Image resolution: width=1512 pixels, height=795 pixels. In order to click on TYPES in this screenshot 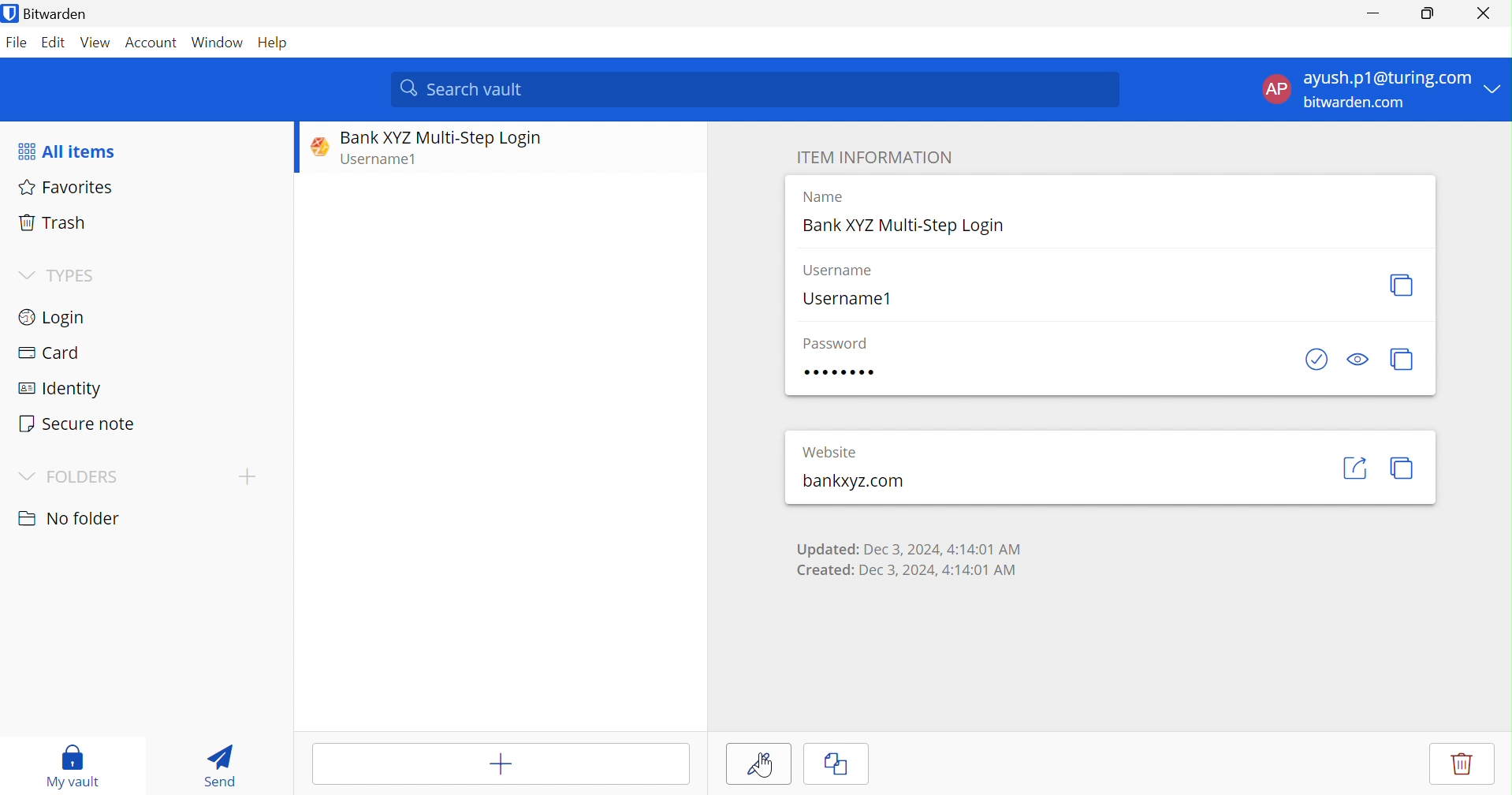, I will do `click(76, 275)`.